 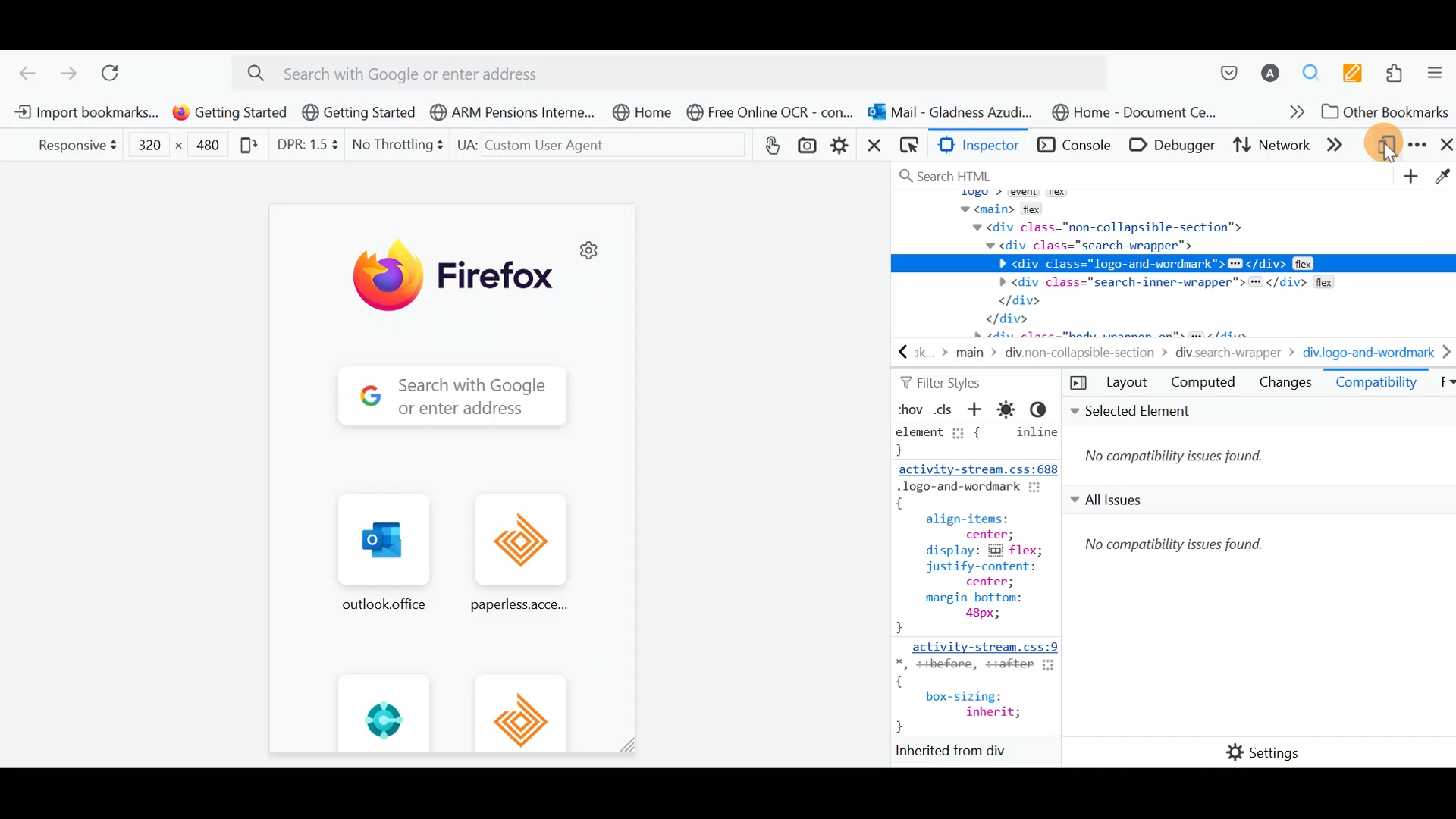 What do you see at coordinates (980, 411) in the screenshot?
I see `Add new rule` at bounding box center [980, 411].